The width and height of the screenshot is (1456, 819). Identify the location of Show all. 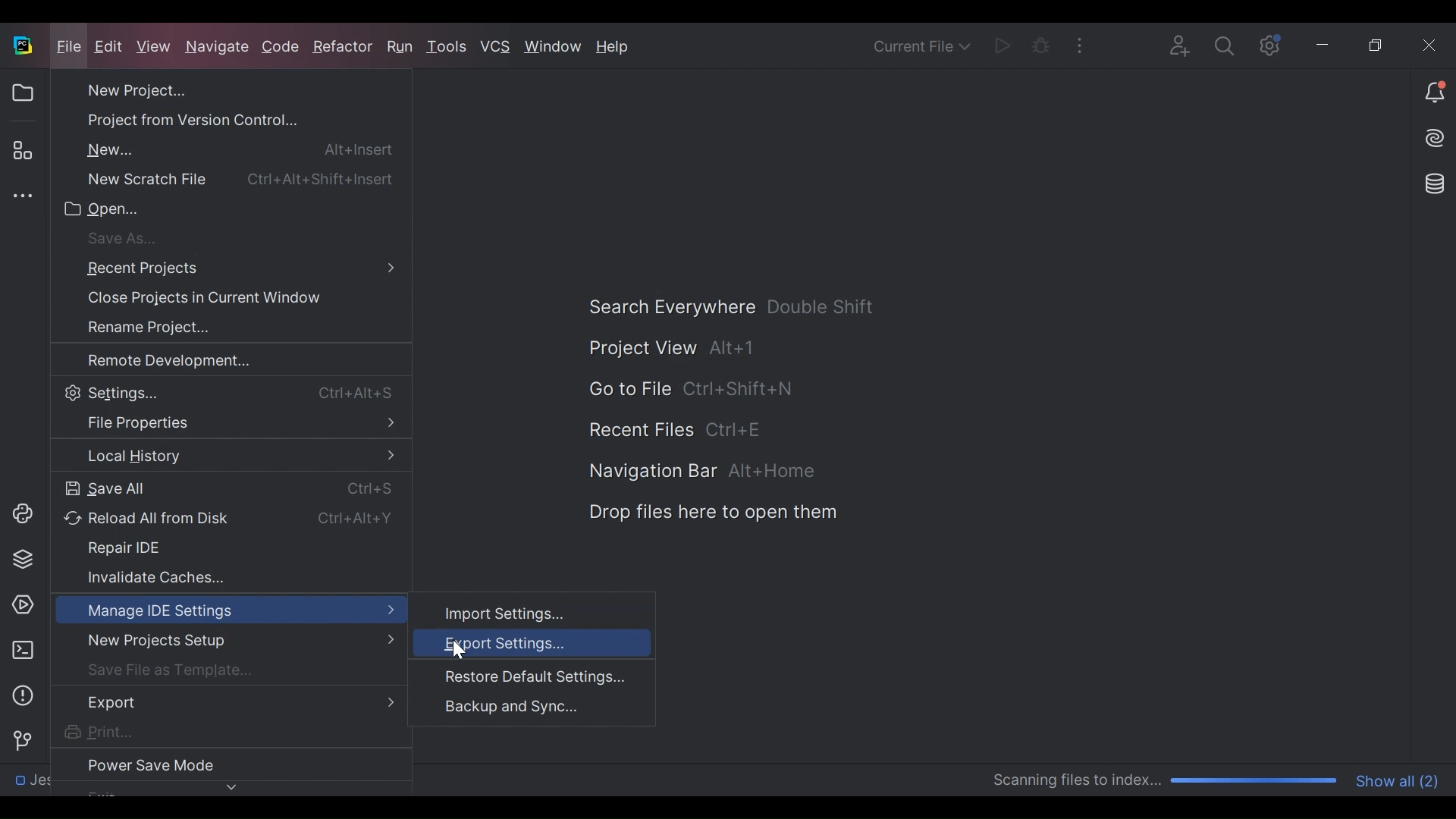
(1400, 780).